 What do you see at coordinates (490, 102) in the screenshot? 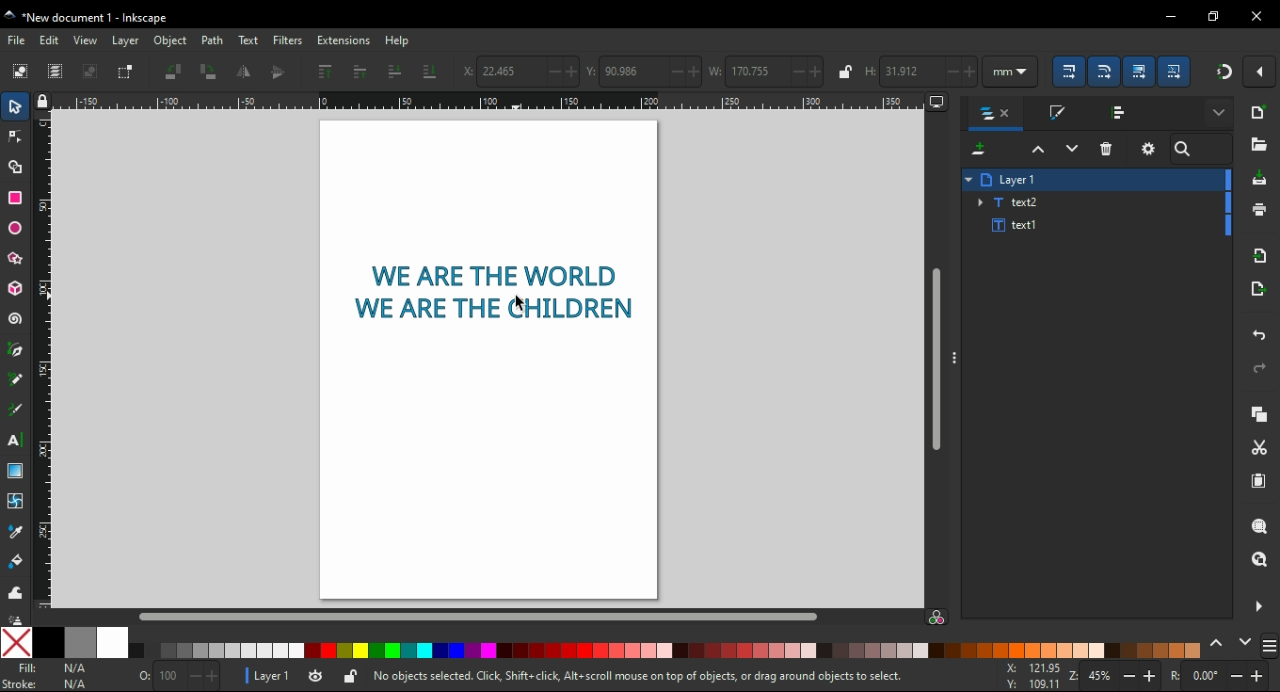
I see `Horizontal ruler` at bounding box center [490, 102].